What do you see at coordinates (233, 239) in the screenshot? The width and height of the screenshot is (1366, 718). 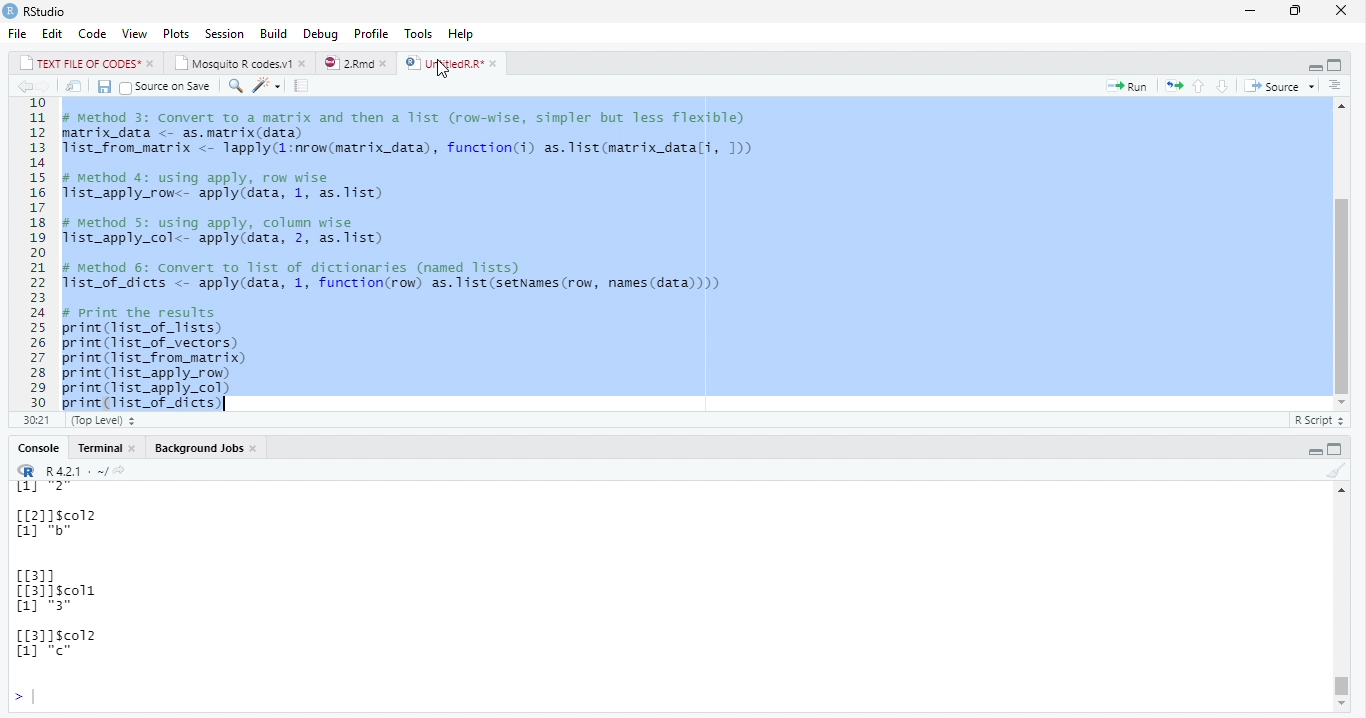 I see `1ist_apply_col<- apply(data, 2, as. list)` at bounding box center [233, 239].